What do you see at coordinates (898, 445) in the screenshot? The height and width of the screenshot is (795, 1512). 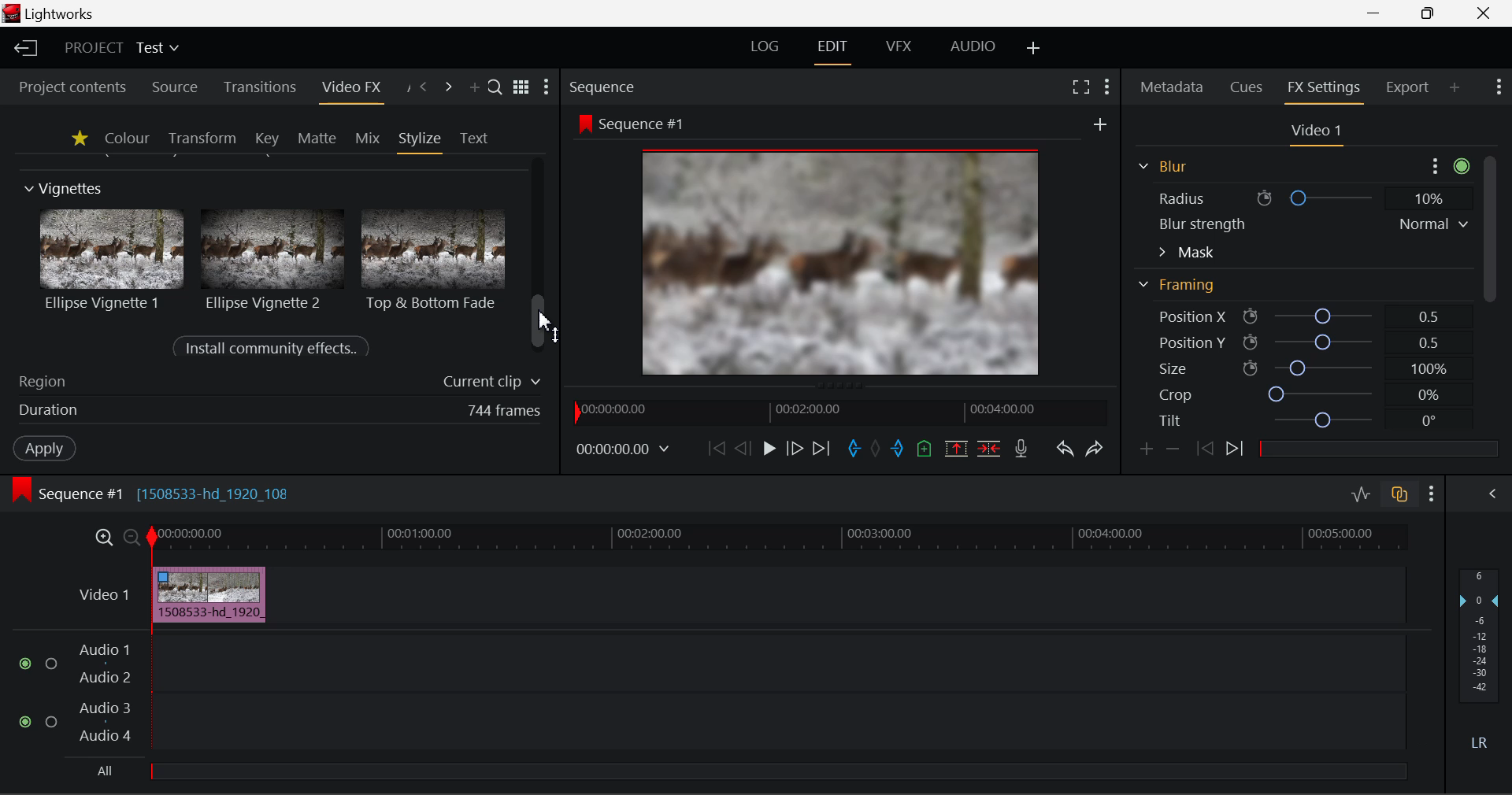 I see `Mark Out` at bounding box center [898, 445].